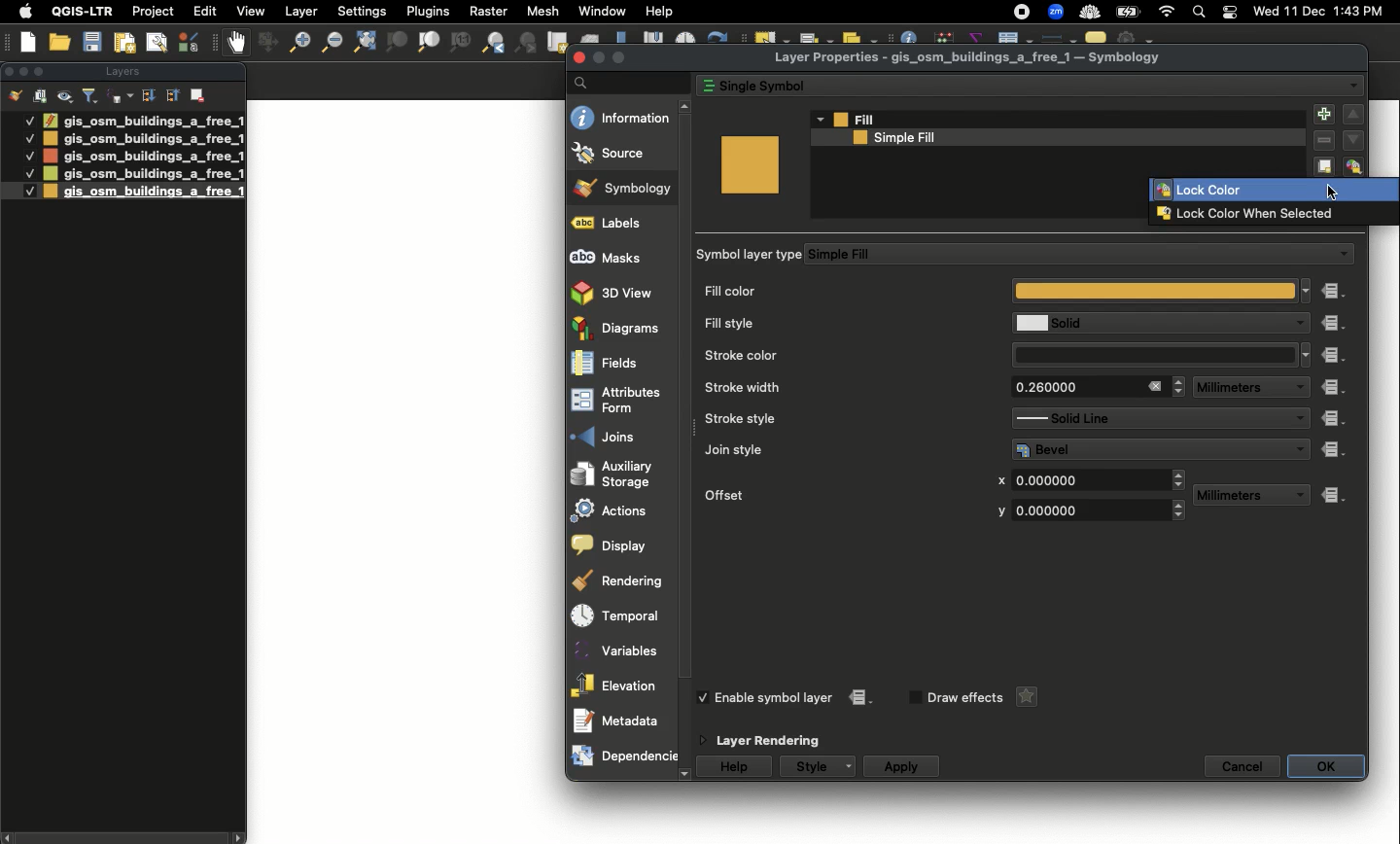  What do you see at coordinates (1353, 115) in the screenshot?
I see `up` at bounding box center [1353, 115].